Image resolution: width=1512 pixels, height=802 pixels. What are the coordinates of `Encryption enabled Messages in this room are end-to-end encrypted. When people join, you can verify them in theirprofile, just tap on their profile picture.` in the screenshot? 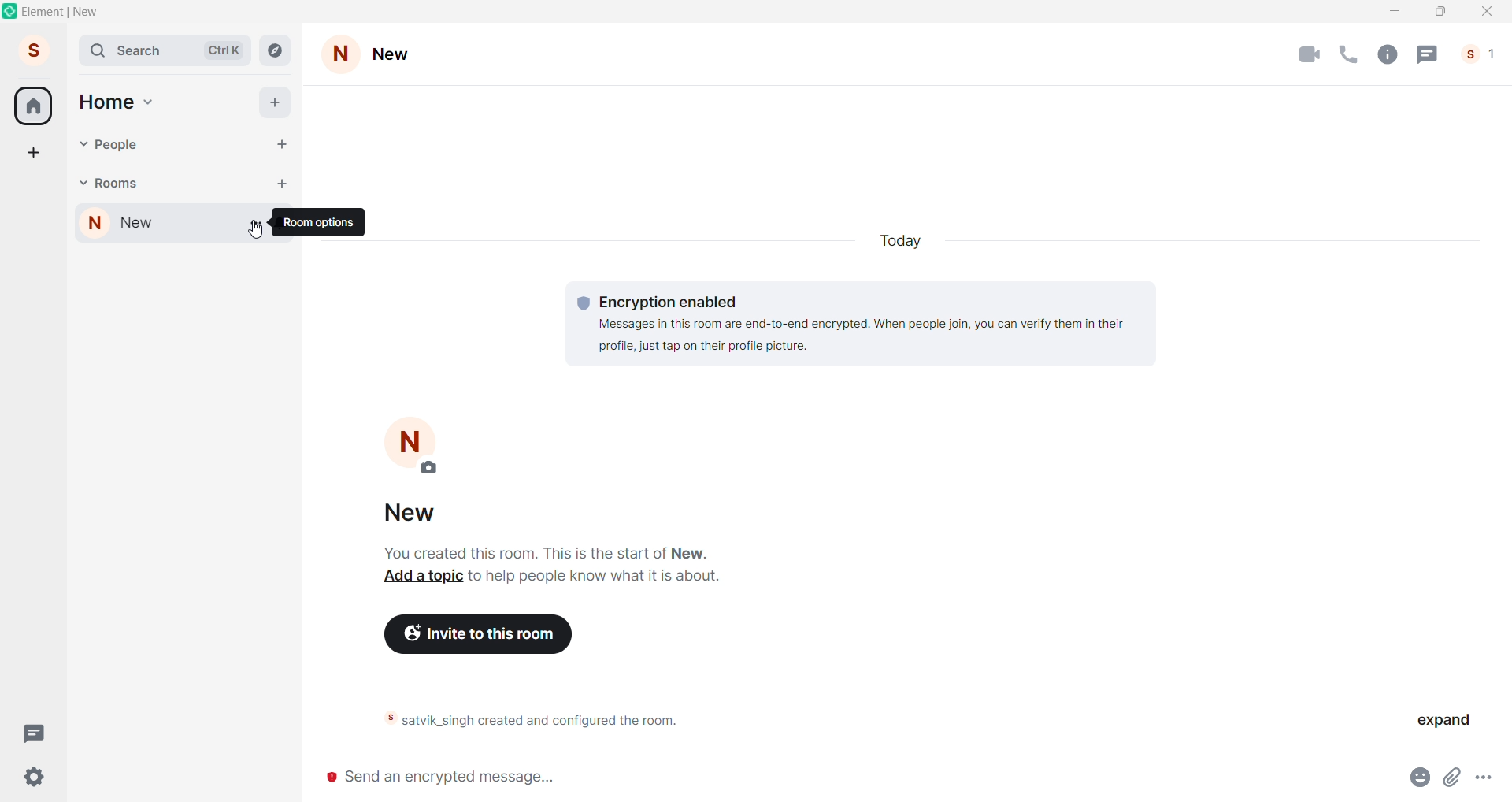 It's located at (860, 321).